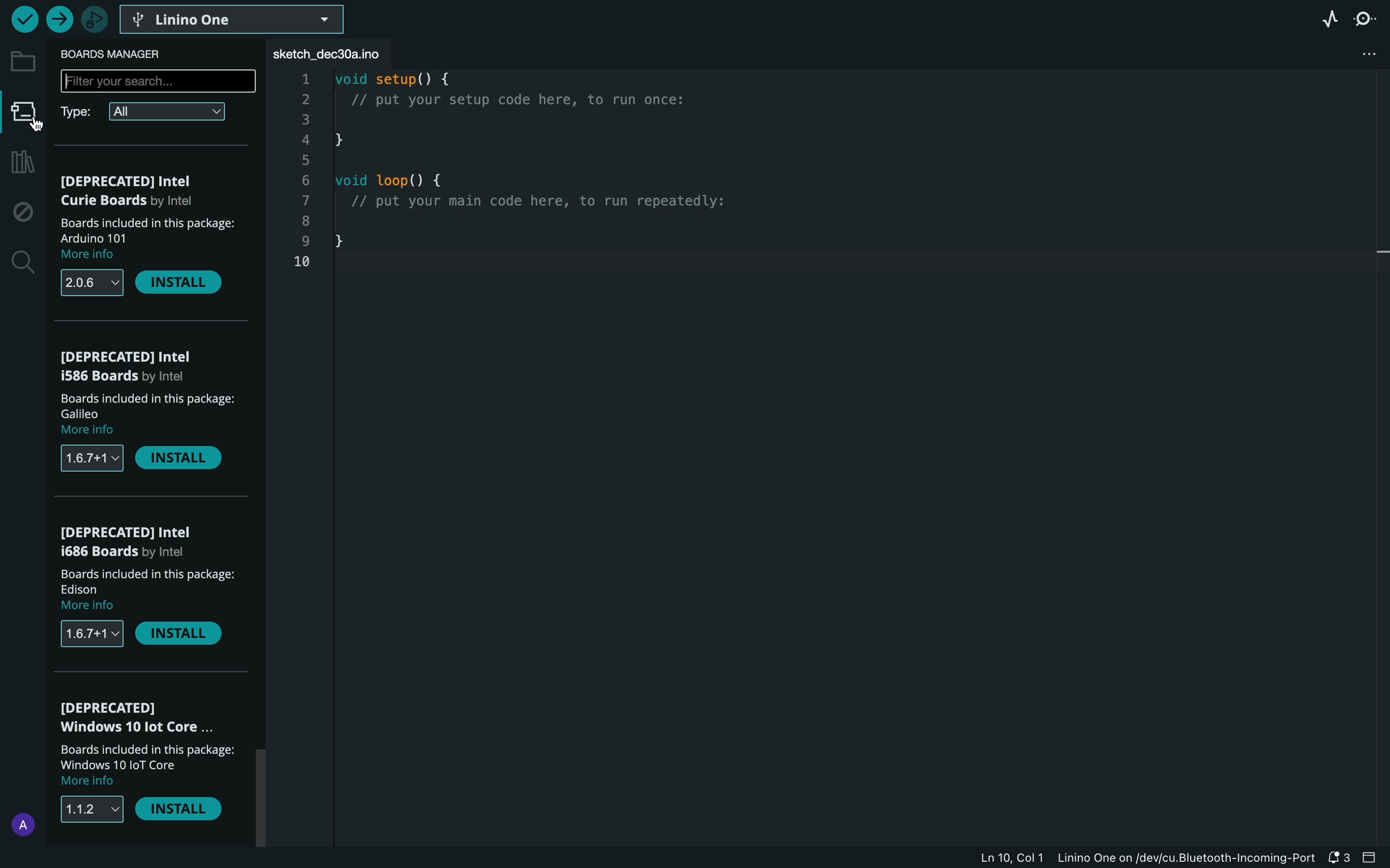 The height and width of the screenshot is (868, 1390). Describe the element at coordinates (20, 164) in the screenshot. I see `library manager` at that location.